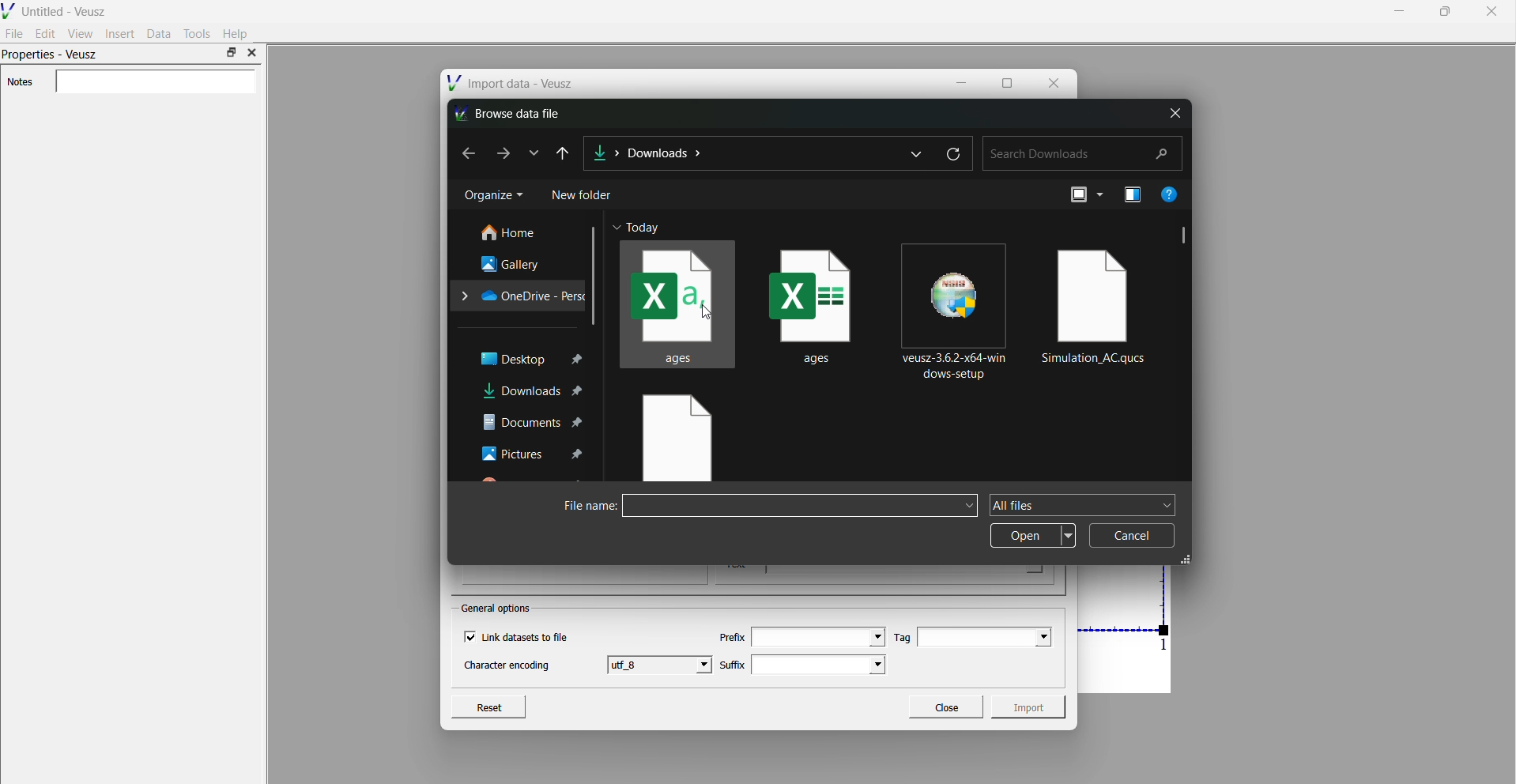  Describe the element at coordinates (1135, 195) in the screenshot. I see `show previous pane` at that location.